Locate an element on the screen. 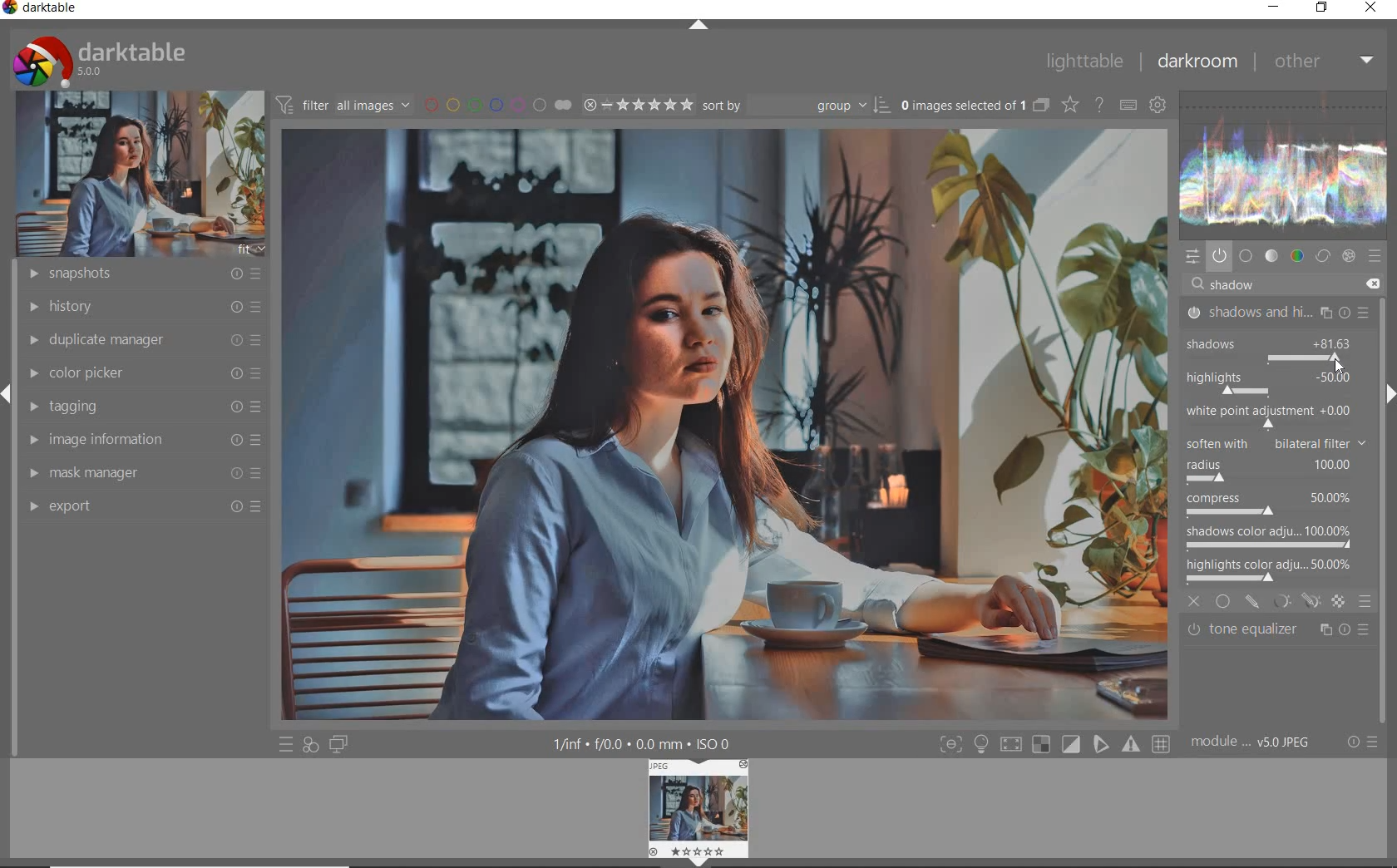 The height and width of the screenshot is (868, 1397). snapshots is located at coordinates (139, 274).